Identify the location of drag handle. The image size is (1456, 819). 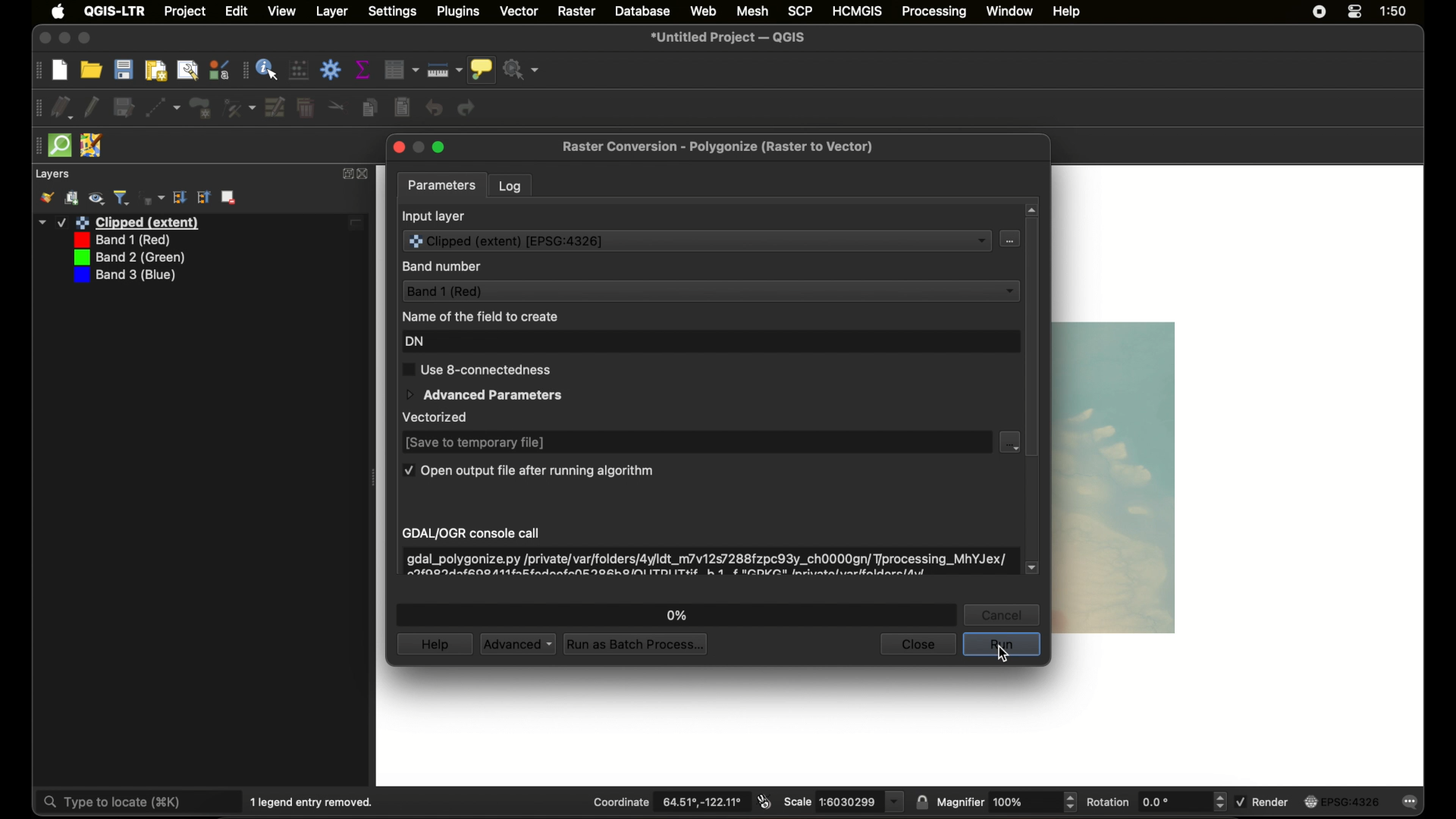
(36, 146).